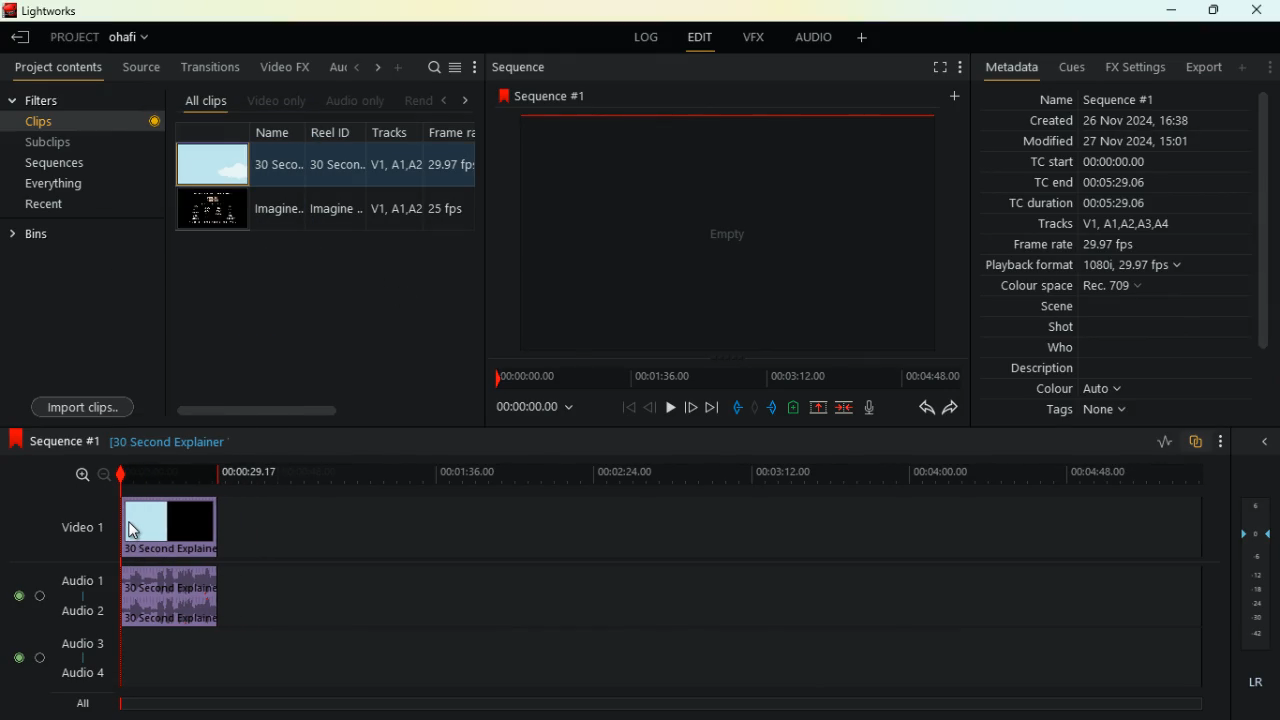 The width and height of the screenshot is (1280, 720). I want to click on who, so click(1066, 349).